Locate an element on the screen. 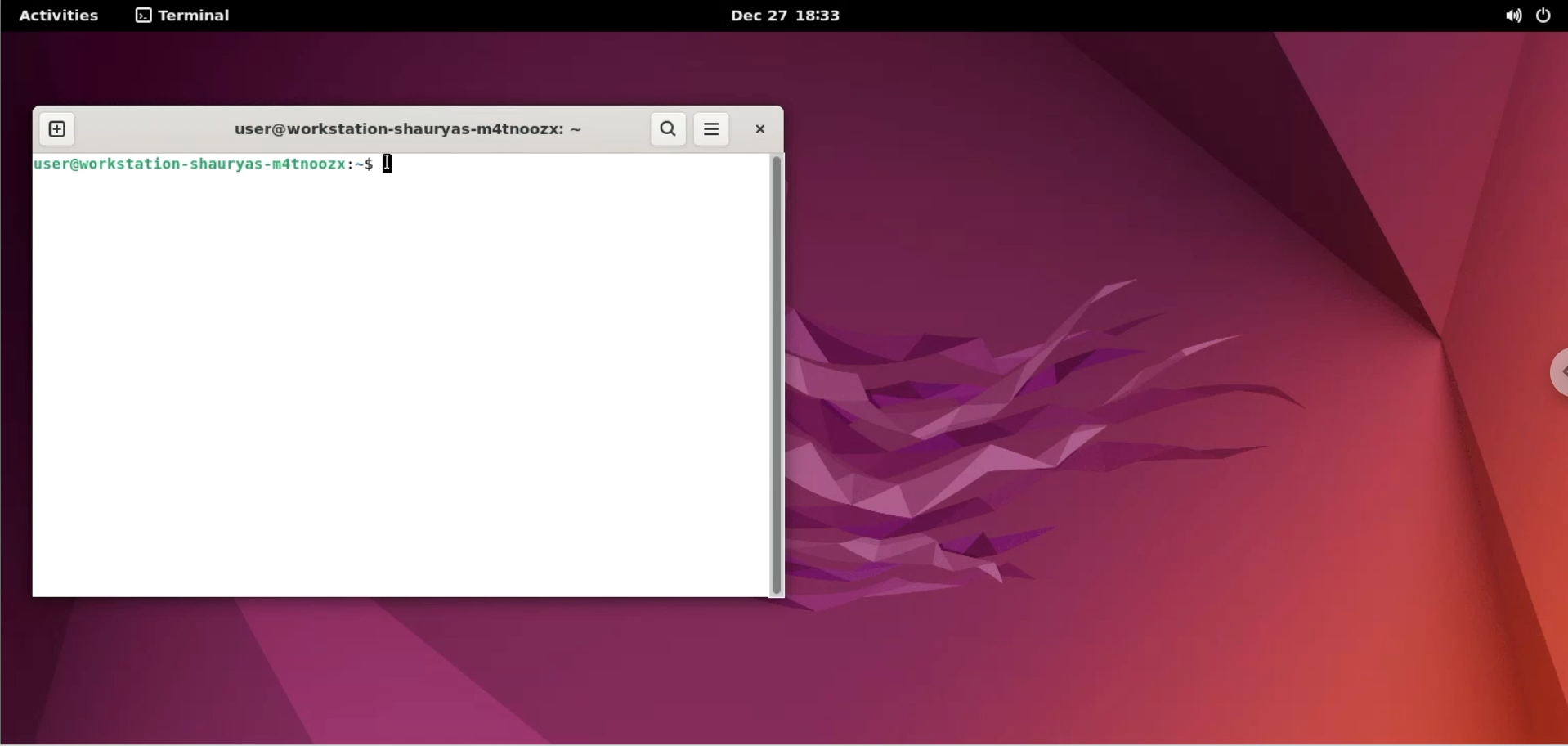 This screenshot has width=1568, height=746. user@workstation-shauryas-m4tnoozx:~$ is located at coordinates (204, 166).